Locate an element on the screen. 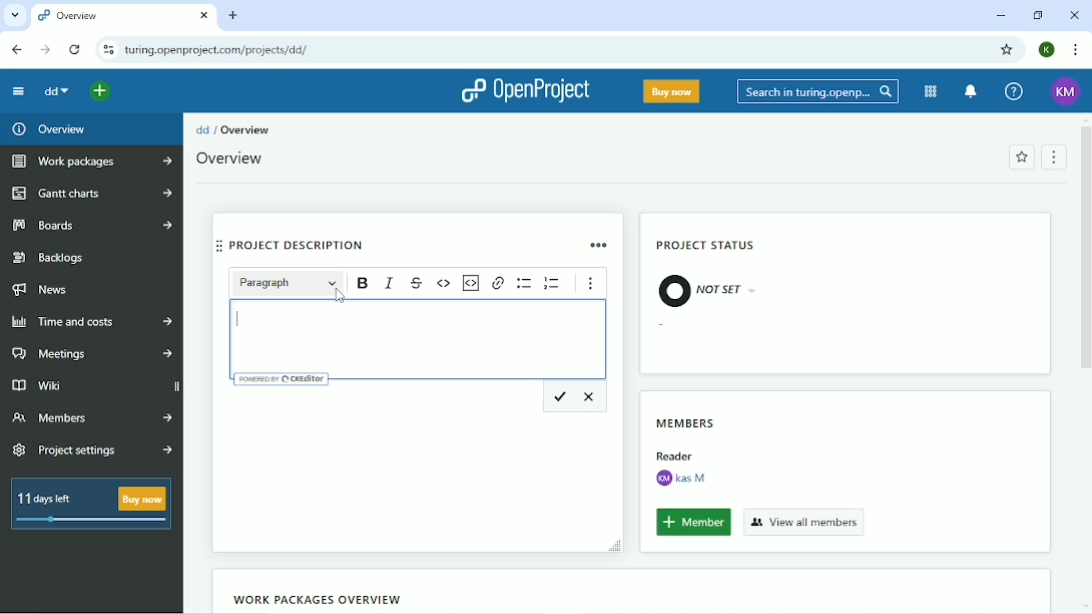 The height and width of the screenshot is (614, 1092). Help is located at coordinates (1013, 91).